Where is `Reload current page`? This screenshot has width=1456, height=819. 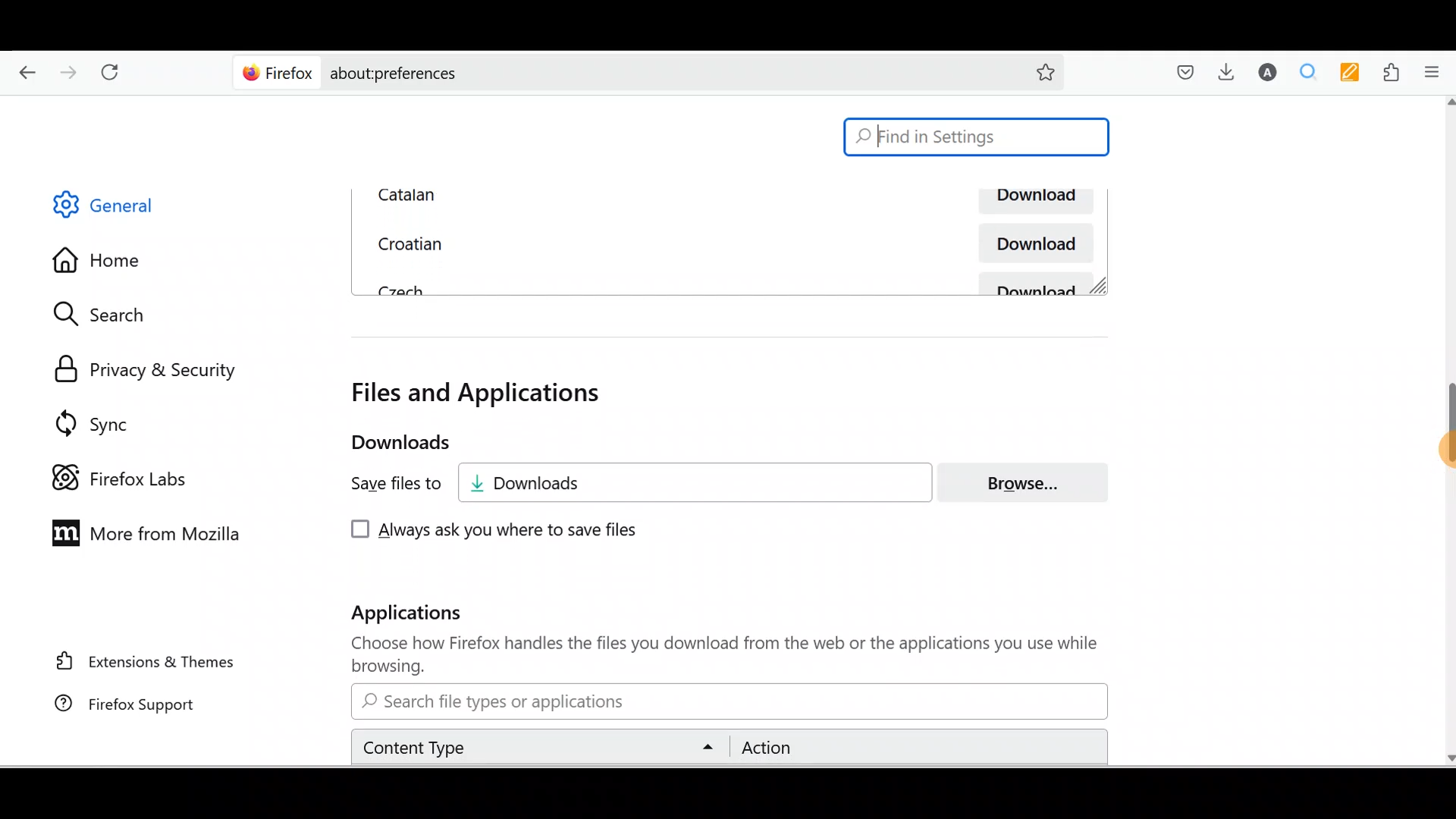
Reload current page is located at coordinates (119, 75).